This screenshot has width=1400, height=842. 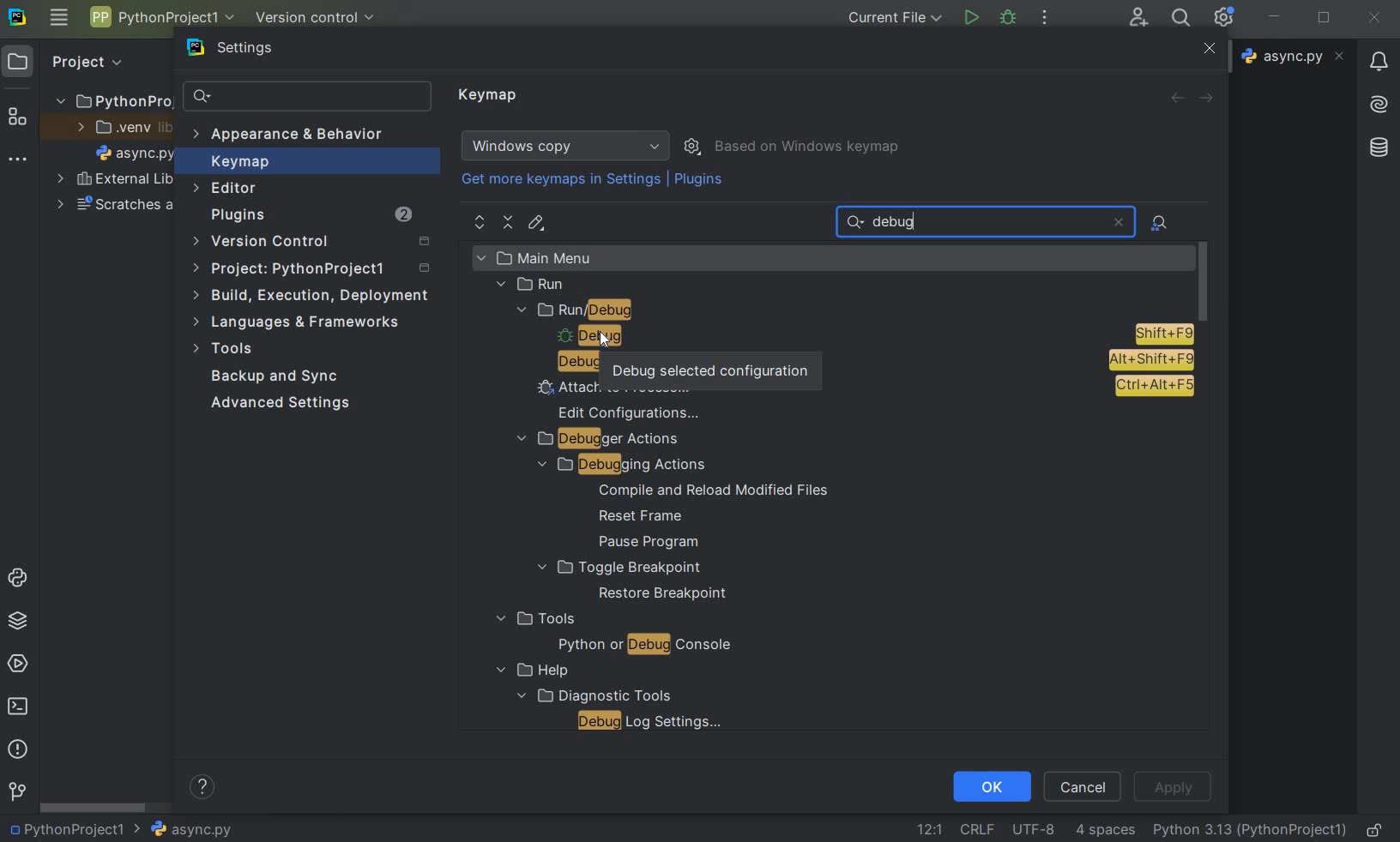 What do you see at coordinates (970, 18) in the screenshot?
I see `run` at bounding box center [970, 18].